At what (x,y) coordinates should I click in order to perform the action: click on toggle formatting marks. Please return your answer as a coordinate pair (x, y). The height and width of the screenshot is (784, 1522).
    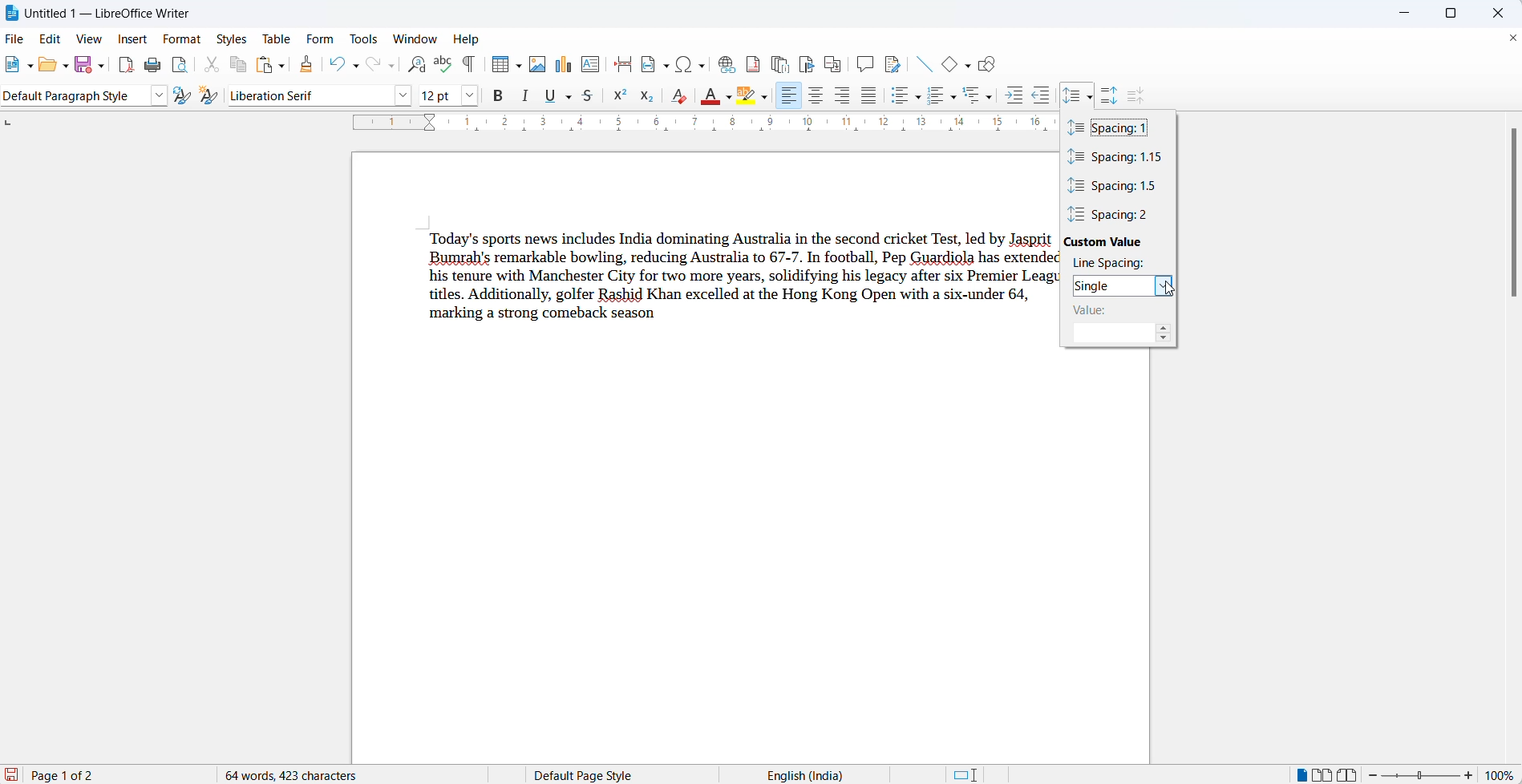
    Looking at the image, I should click on (469, 65).